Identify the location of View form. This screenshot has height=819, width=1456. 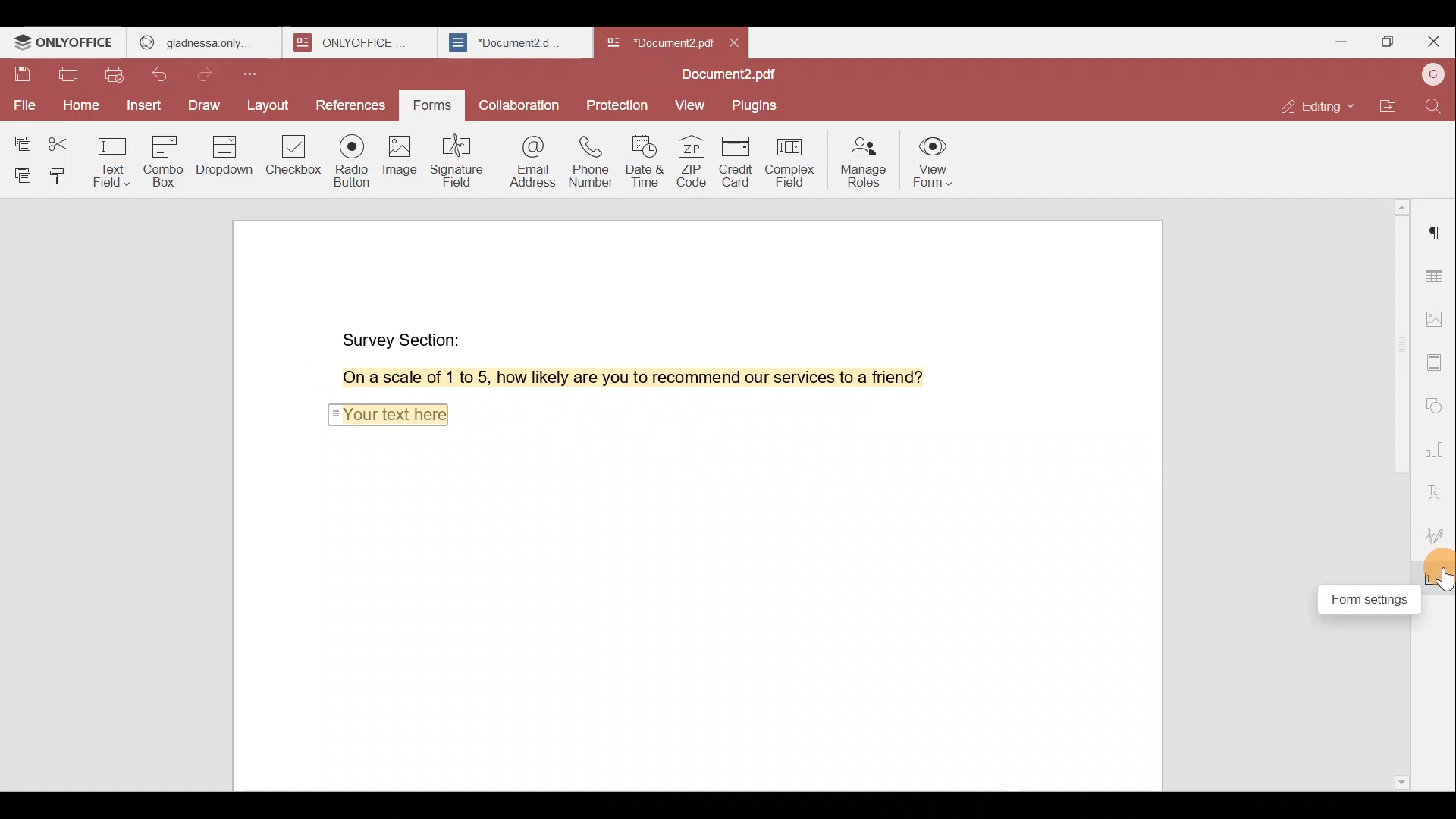
(933, 164).